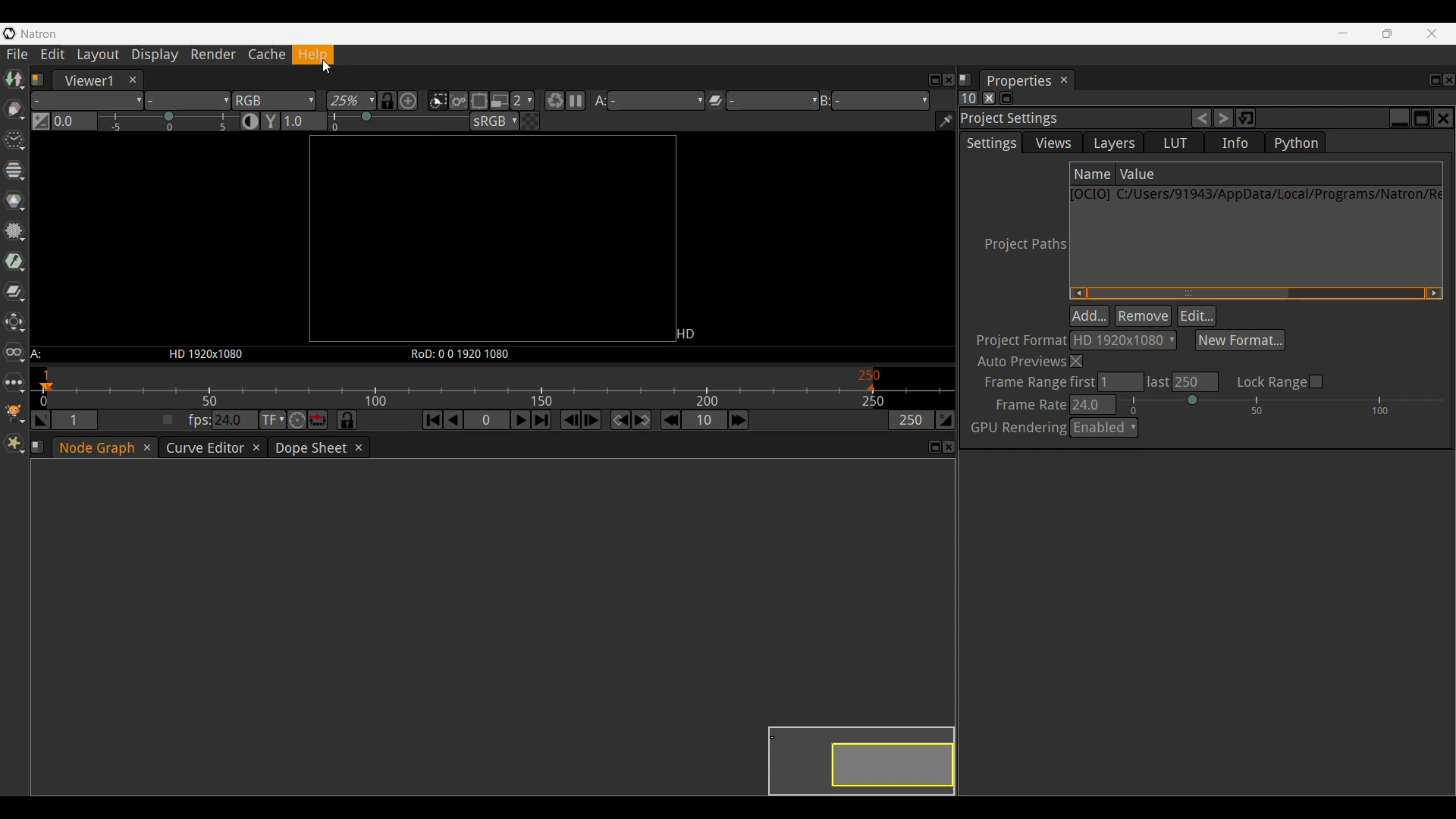  What do you see at coordinates (1280, 382) in the screenshot?
I see `Lock range` at bounding box center [1280, 382].